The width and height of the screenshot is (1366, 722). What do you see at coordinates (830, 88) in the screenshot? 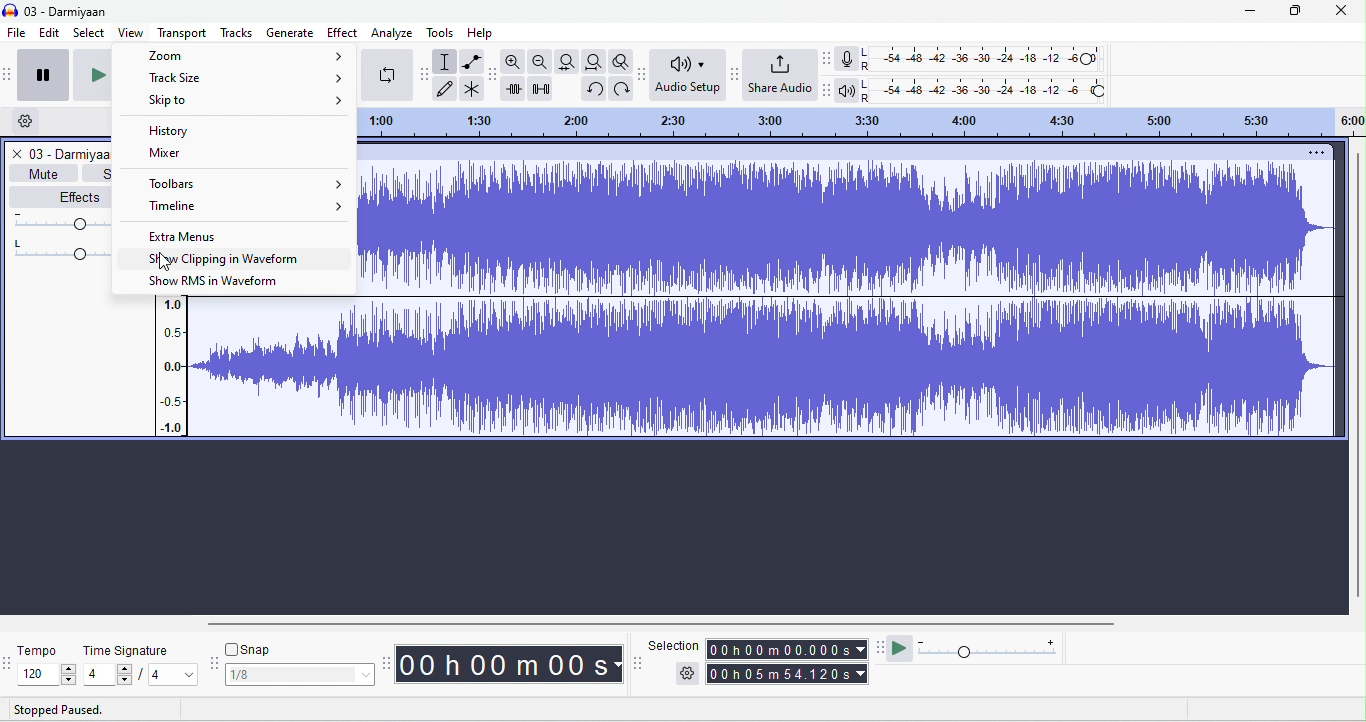
I see `audacity playback meter tool bar` at bounding box center [830, 88].